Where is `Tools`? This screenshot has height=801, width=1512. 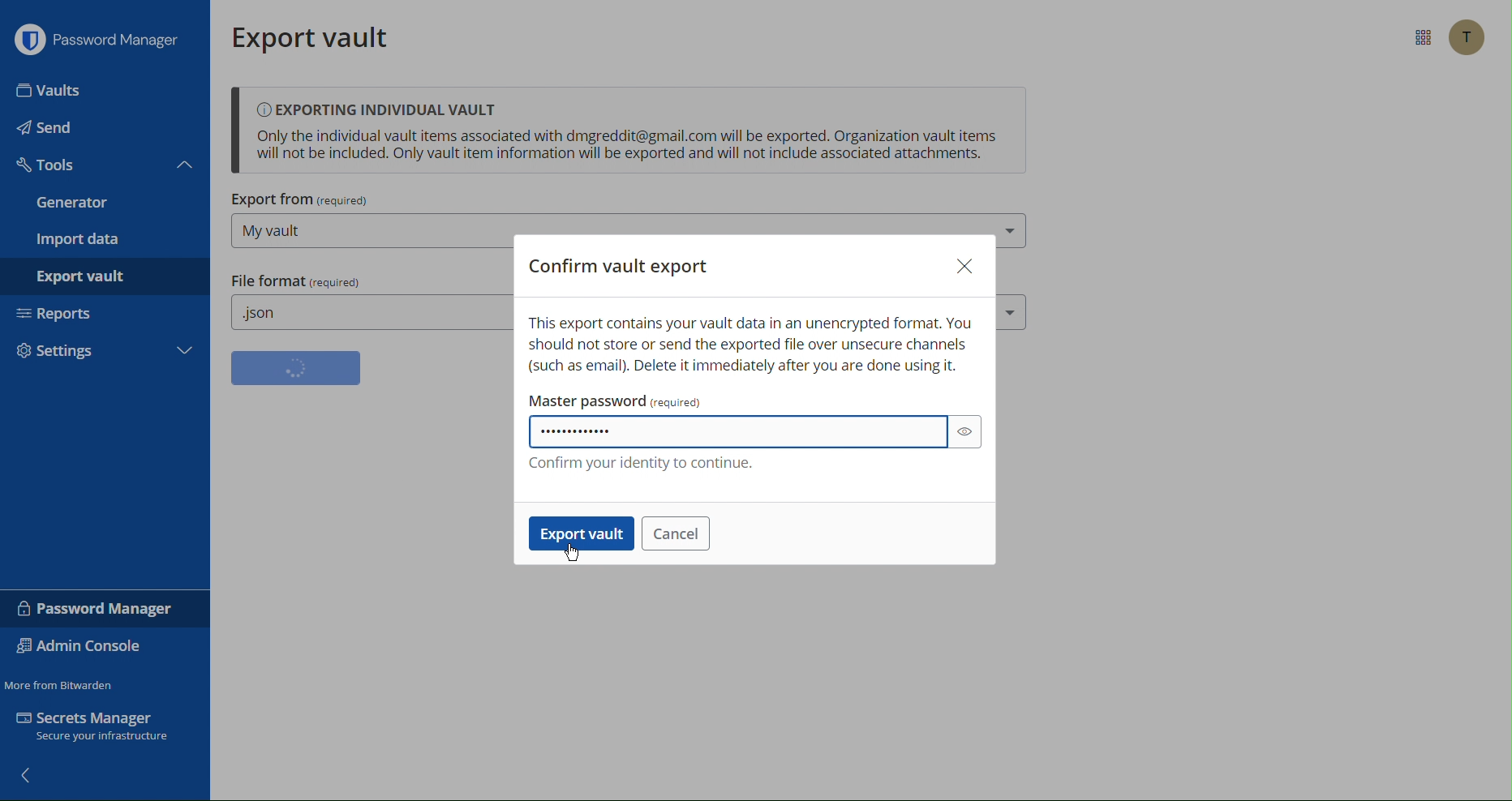
Tools is located at coordinates (49, 165).